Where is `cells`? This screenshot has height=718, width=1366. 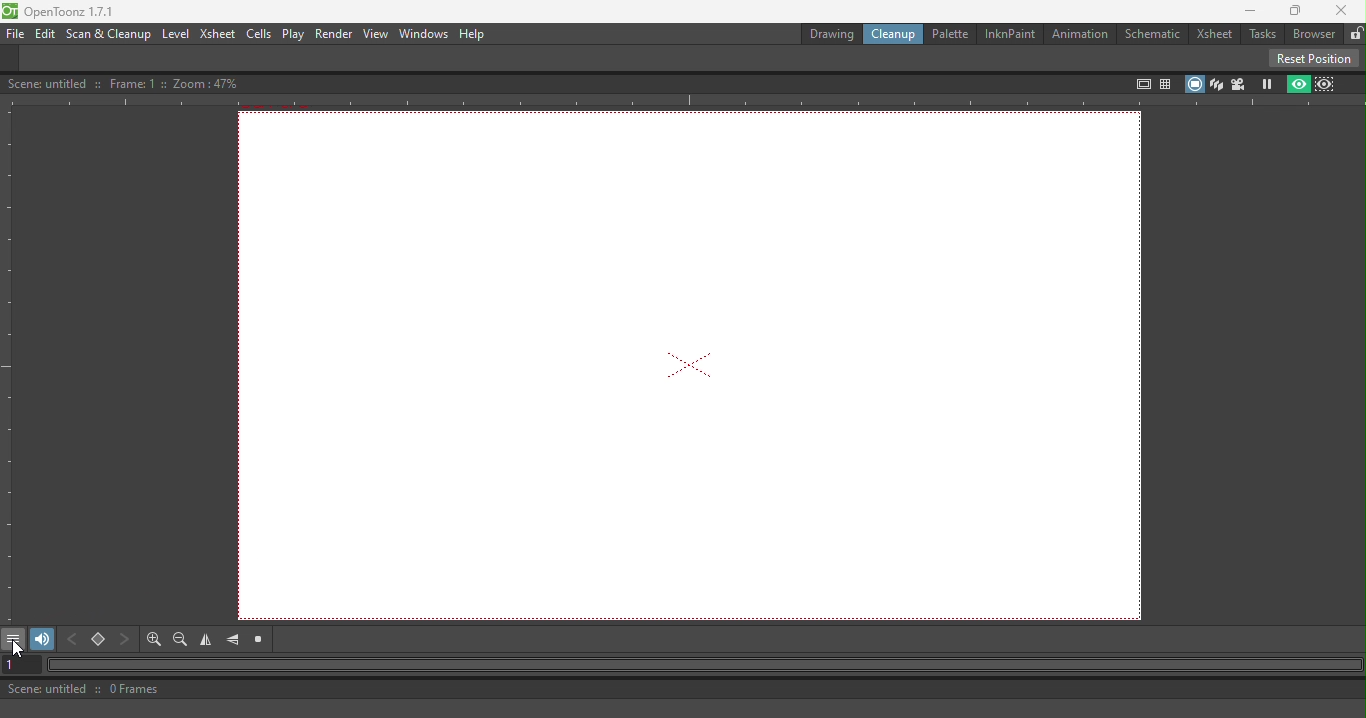
cells is located at coordinates (258, 34).